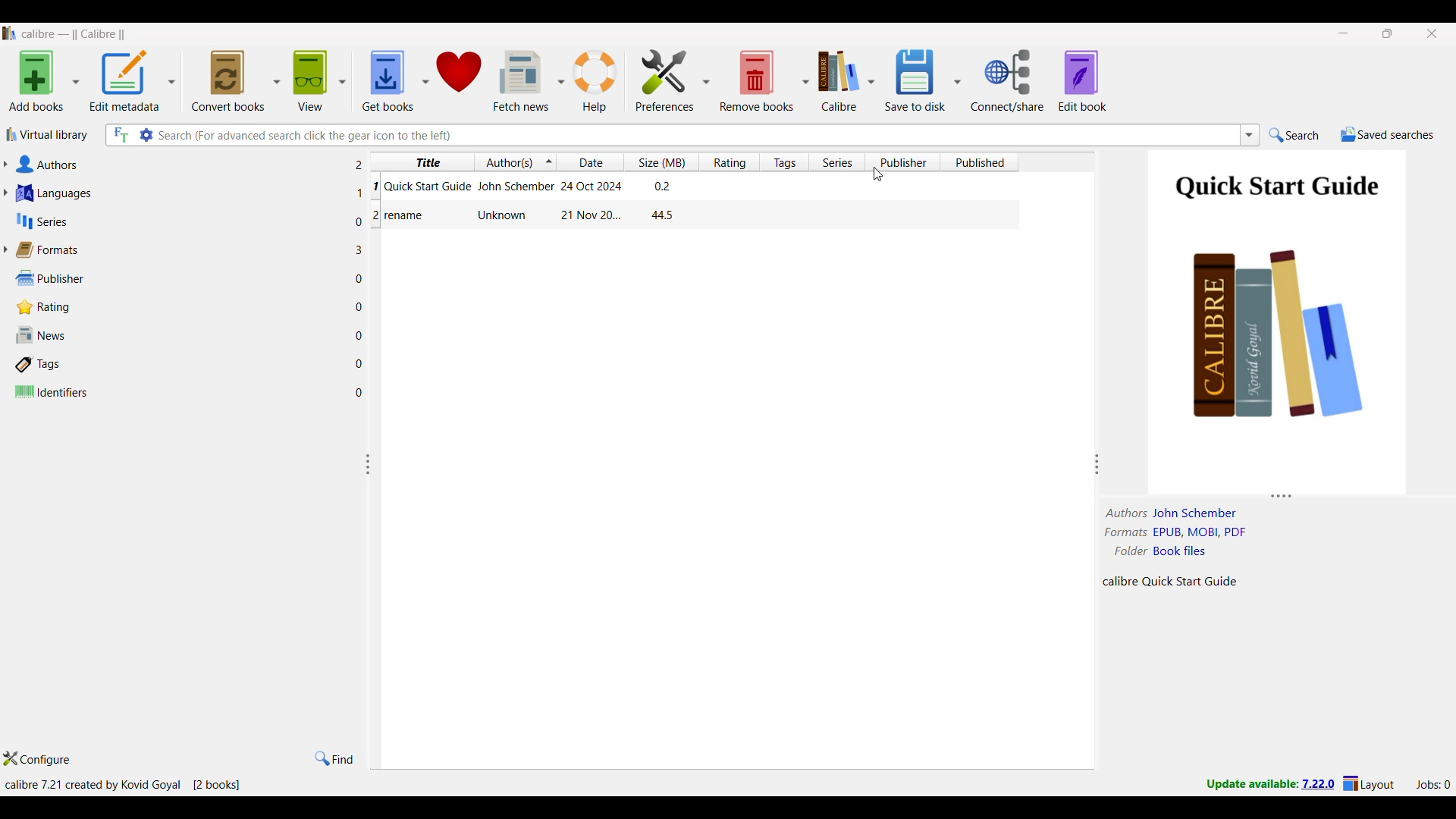  I want to click on Convert books options, so click(235, 80).